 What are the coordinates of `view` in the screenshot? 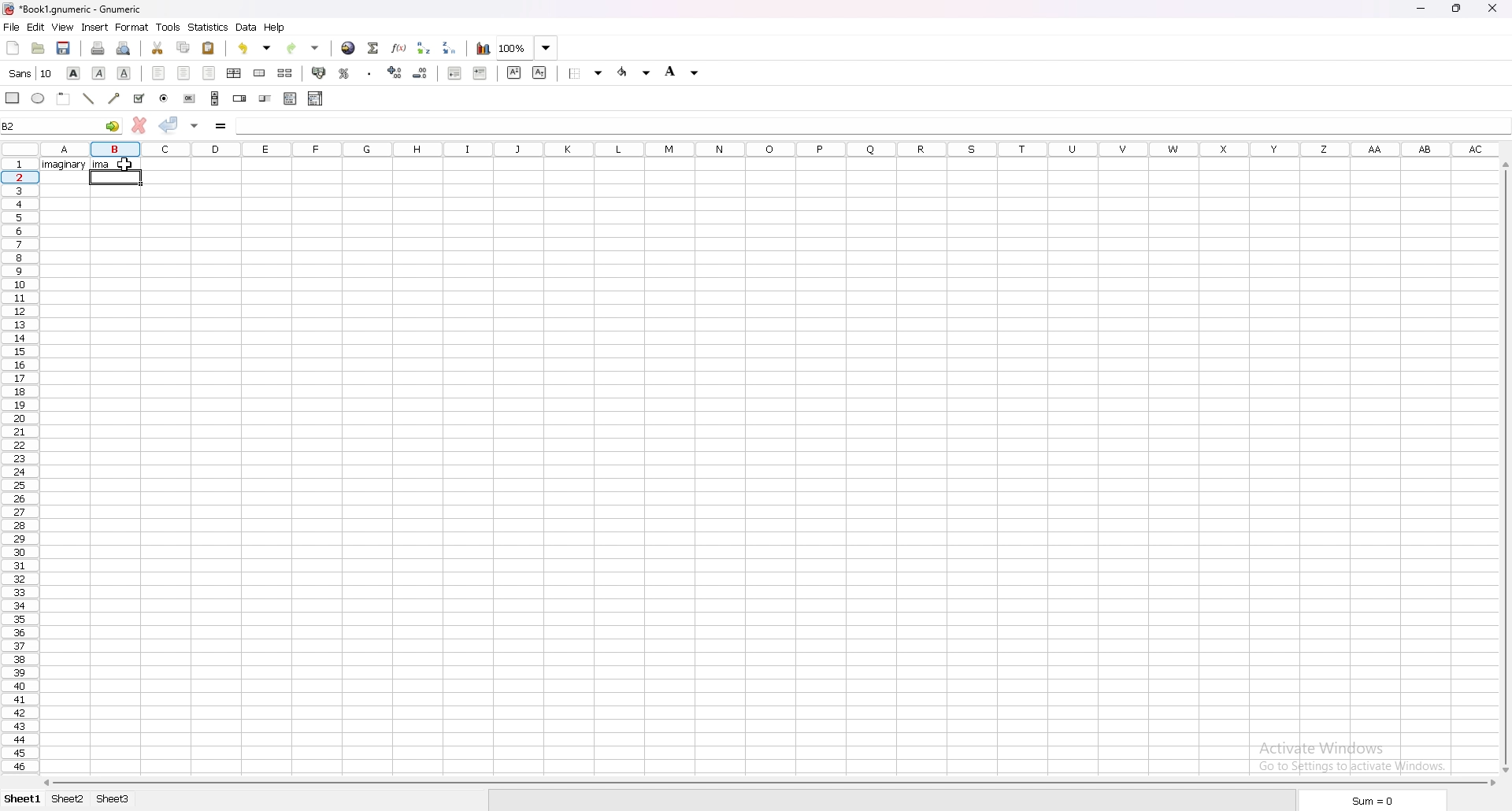 It's located at (63, 27).